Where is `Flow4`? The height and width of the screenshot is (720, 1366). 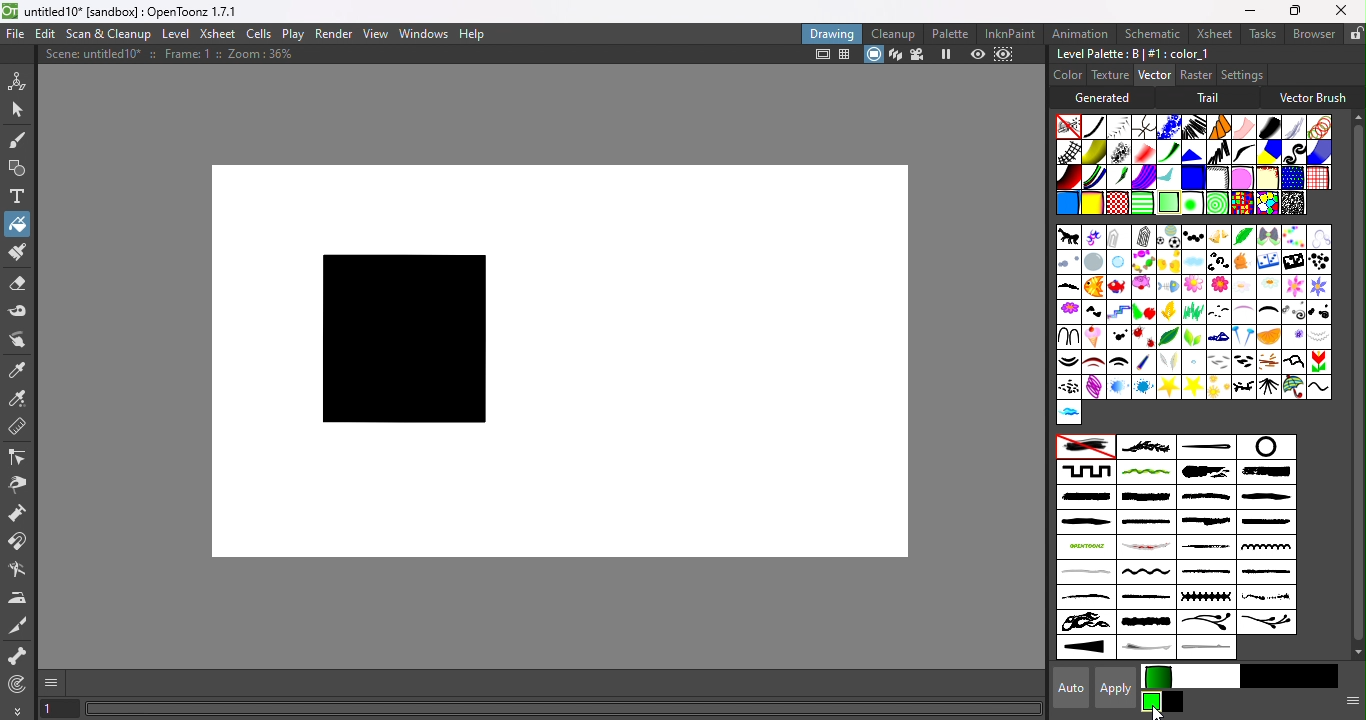 Flow4 is located at coordinates (1316, 287).